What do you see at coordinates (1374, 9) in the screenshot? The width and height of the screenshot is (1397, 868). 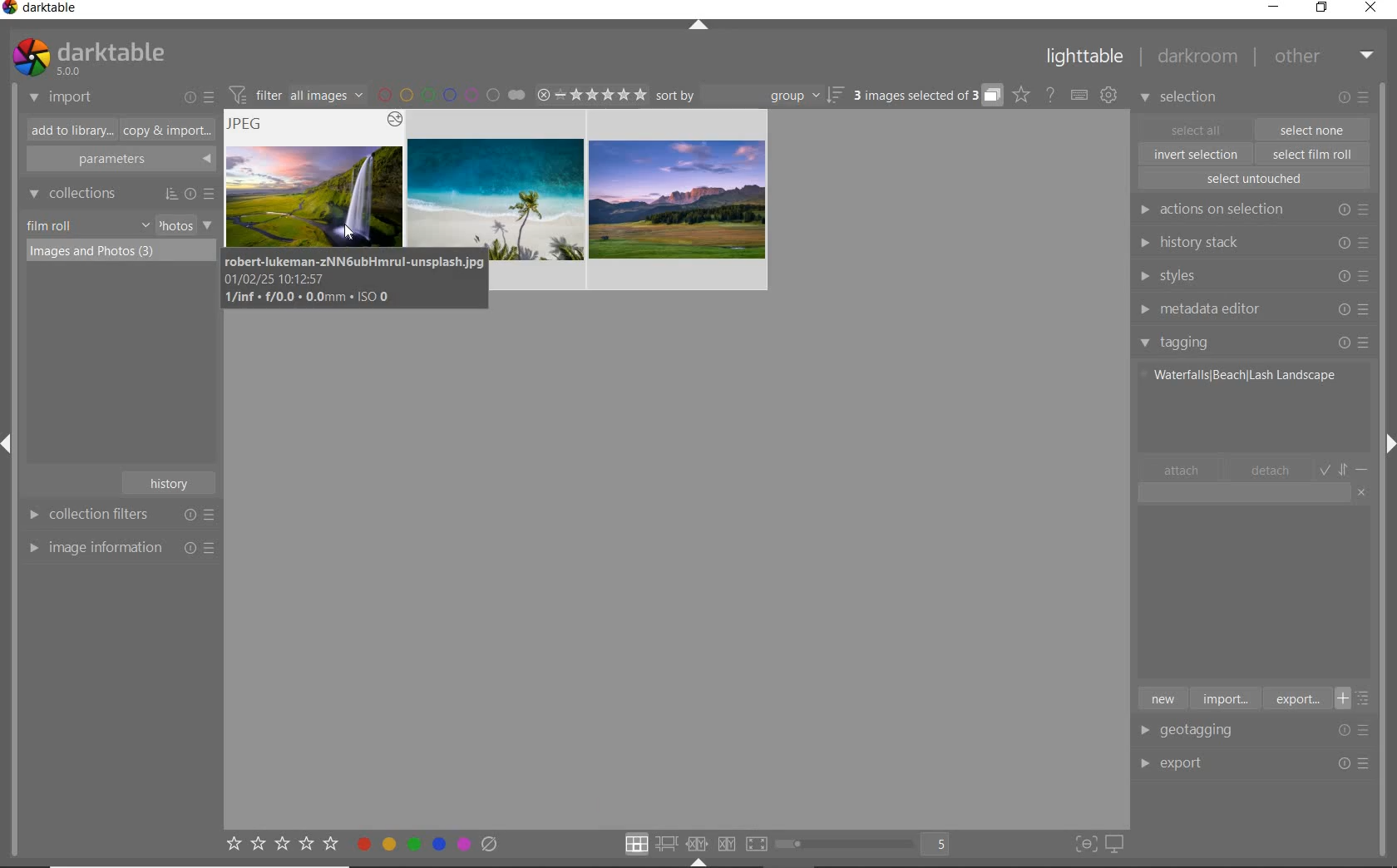 I see `close` at bounding box center [1374, 9].